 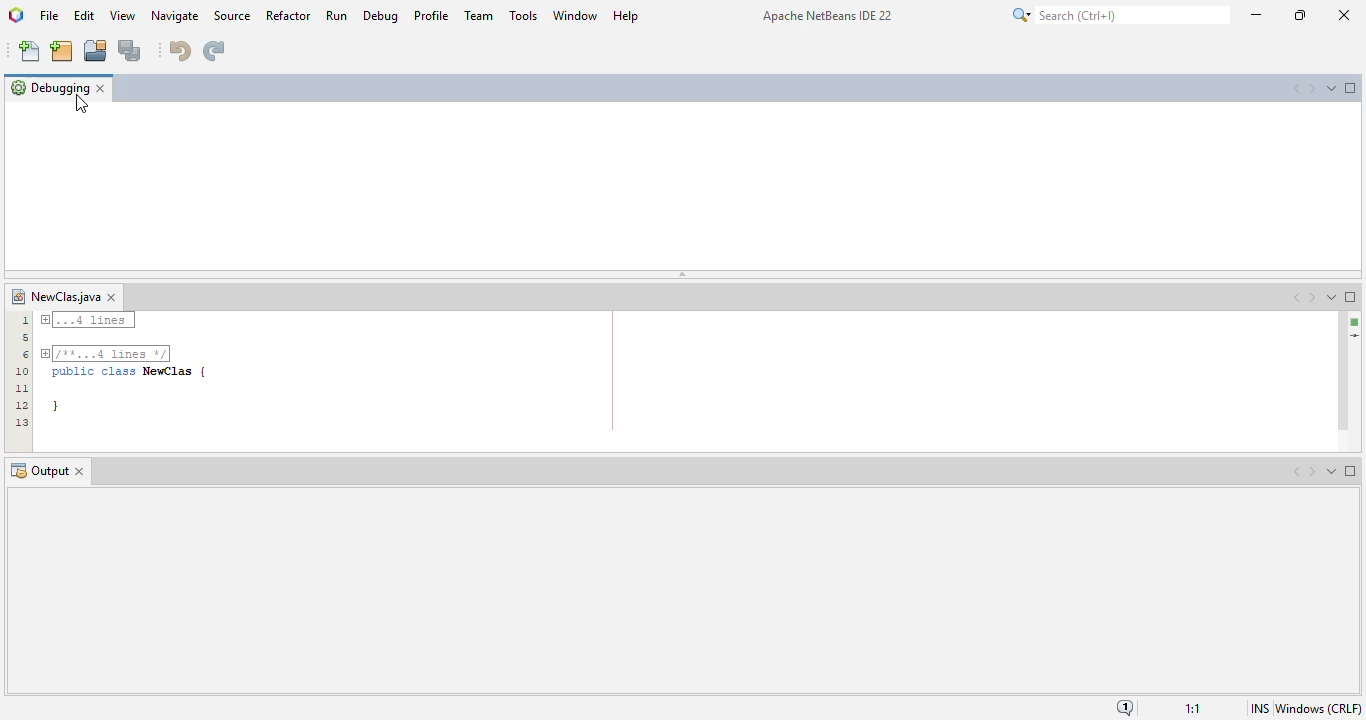 What do you see at coordinates (1353, 337) in the screenshot?
I see `current line` at bounding box center [1353, 337].